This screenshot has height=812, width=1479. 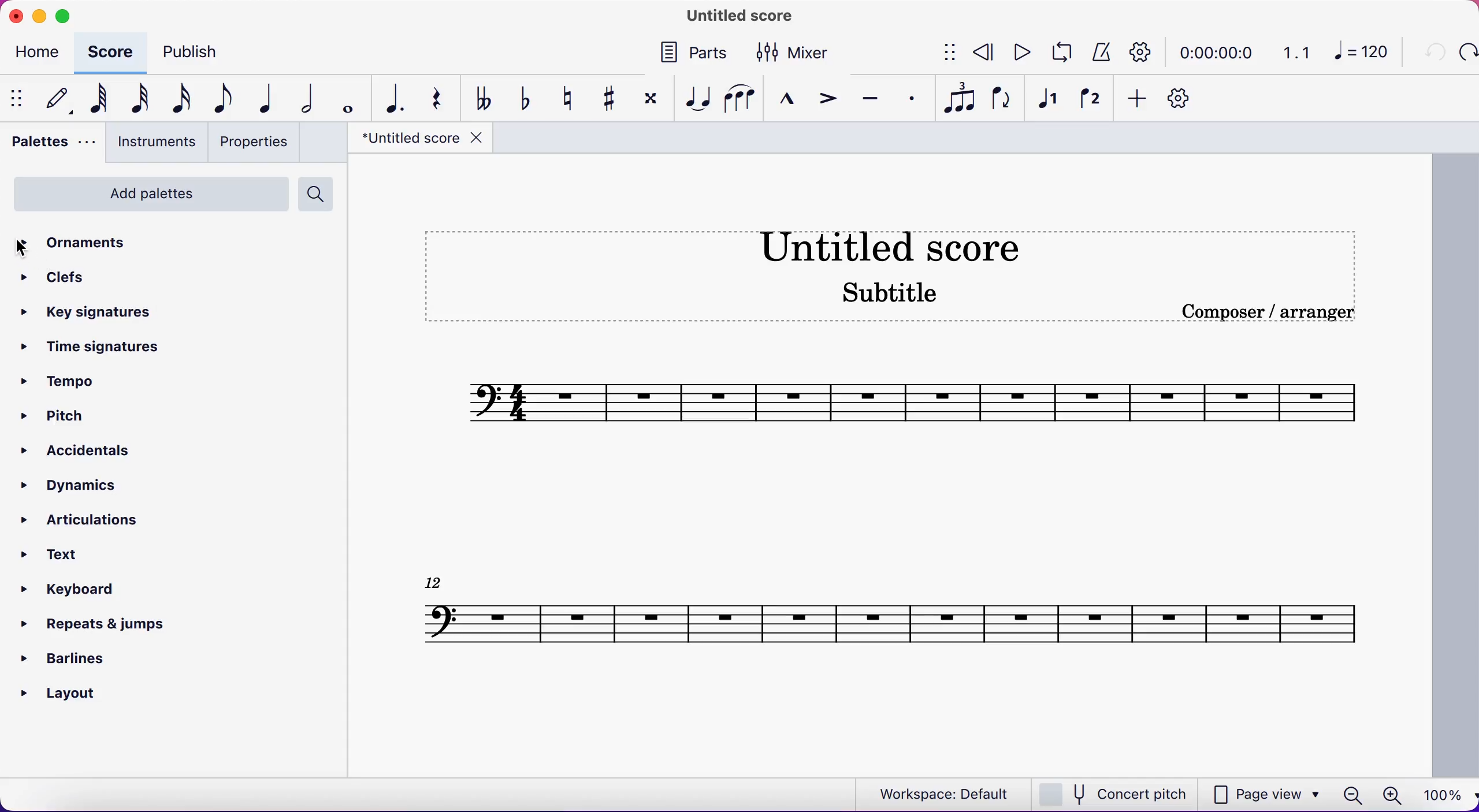 I want to click on flip direction, so click(x=1002, y=100).